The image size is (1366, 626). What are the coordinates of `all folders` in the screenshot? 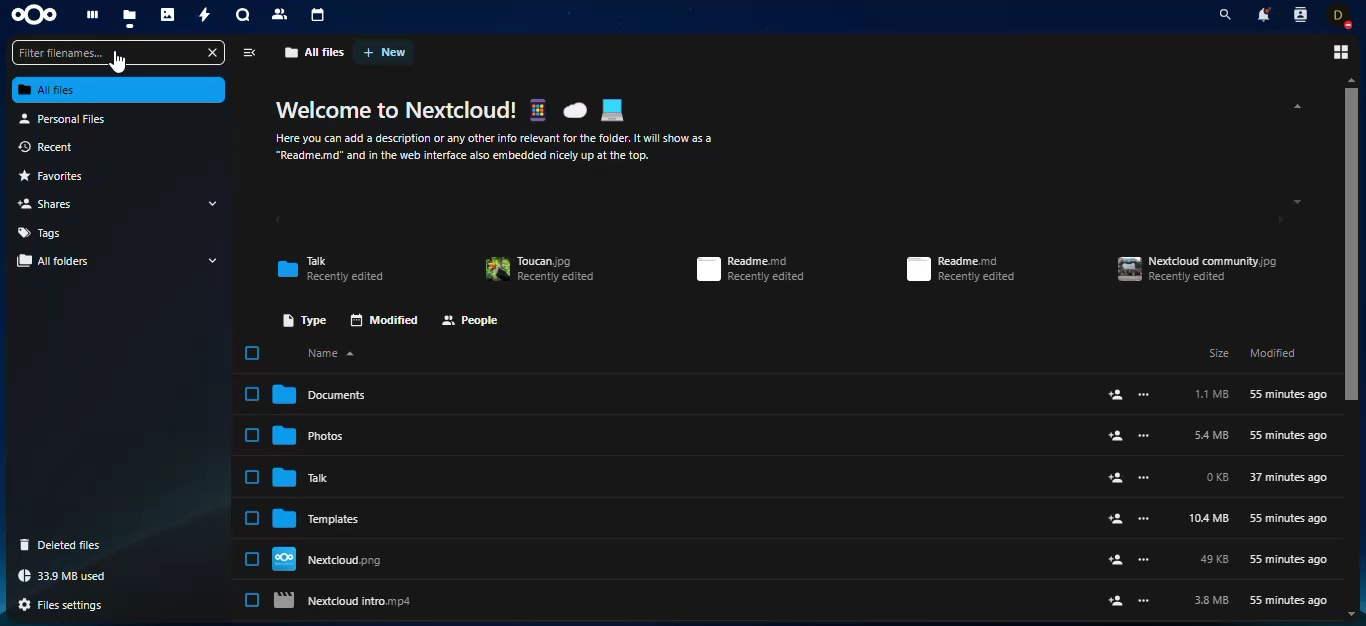 It's located at (59, 261).